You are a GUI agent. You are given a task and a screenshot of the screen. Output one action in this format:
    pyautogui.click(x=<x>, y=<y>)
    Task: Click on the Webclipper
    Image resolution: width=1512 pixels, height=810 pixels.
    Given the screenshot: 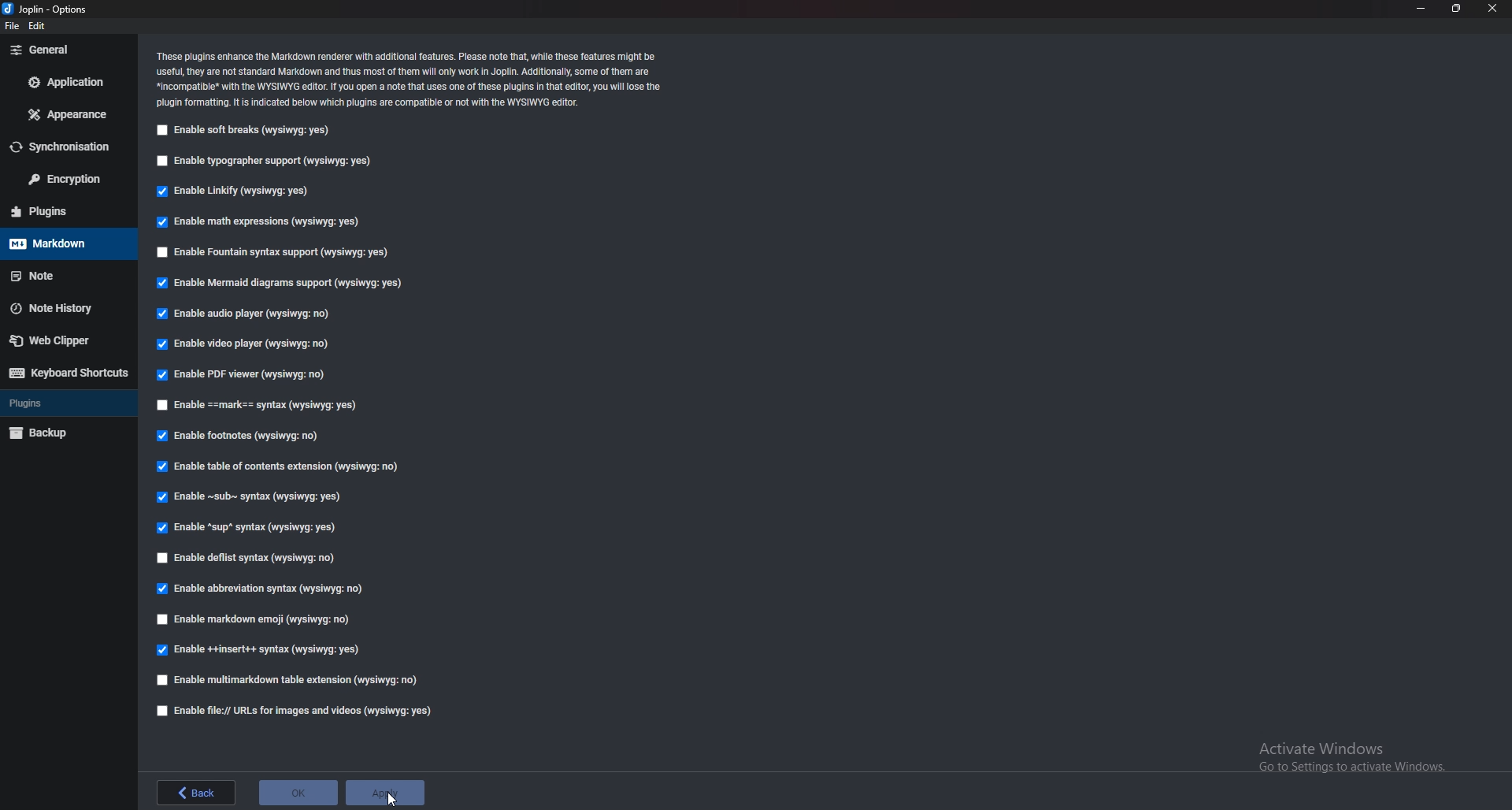 What is the action you would take?
    pyautogui.click(x=64, y=341)
    